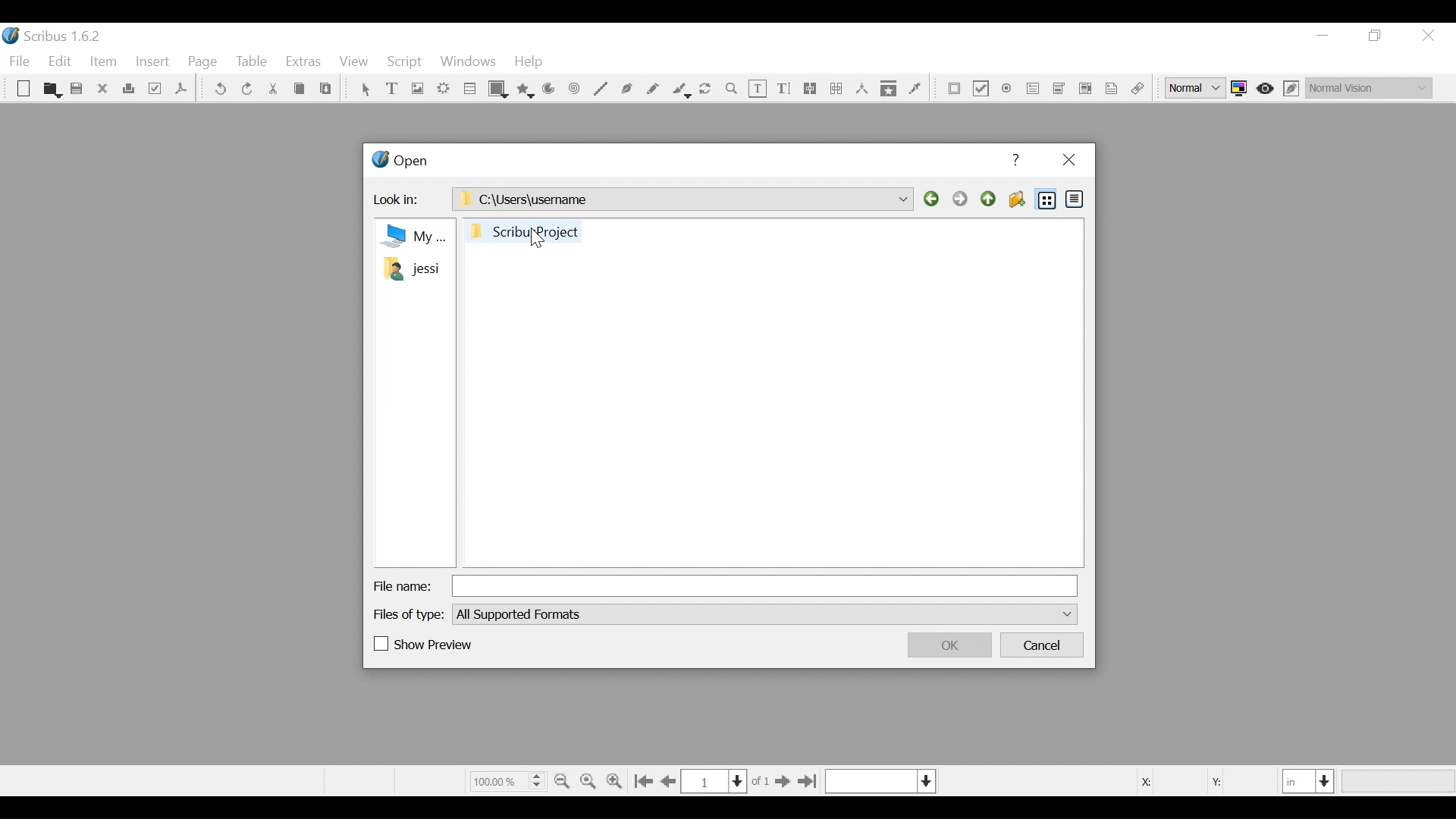 This screenshot has width=1456, height=819. Describe the element at coordinates (1368, 86) in the screenshot. I see `Select the visual appearance of the display` at that location.